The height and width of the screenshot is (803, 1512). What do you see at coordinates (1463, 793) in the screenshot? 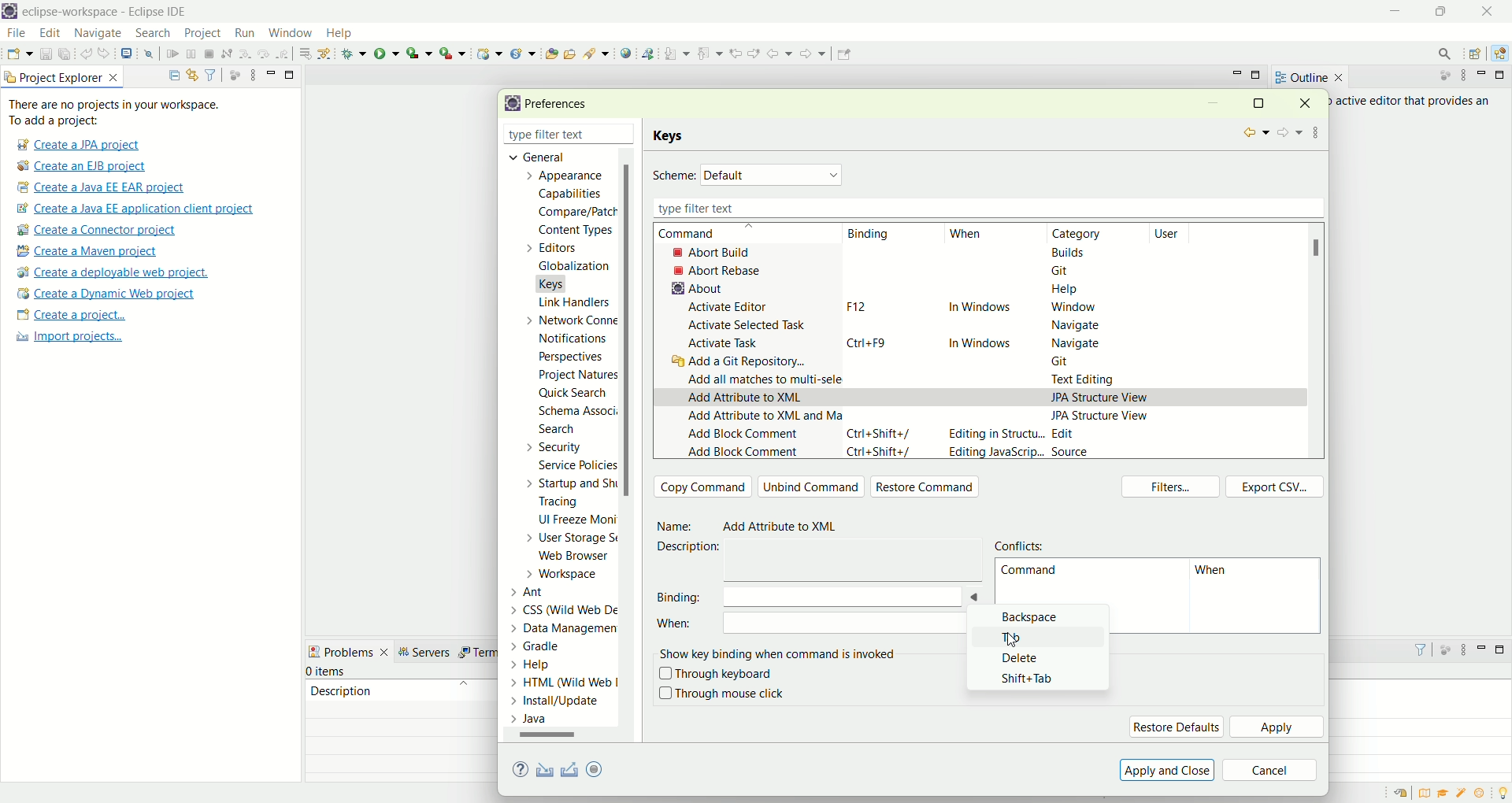
I see `samples` at bounding box center [1463, 793].